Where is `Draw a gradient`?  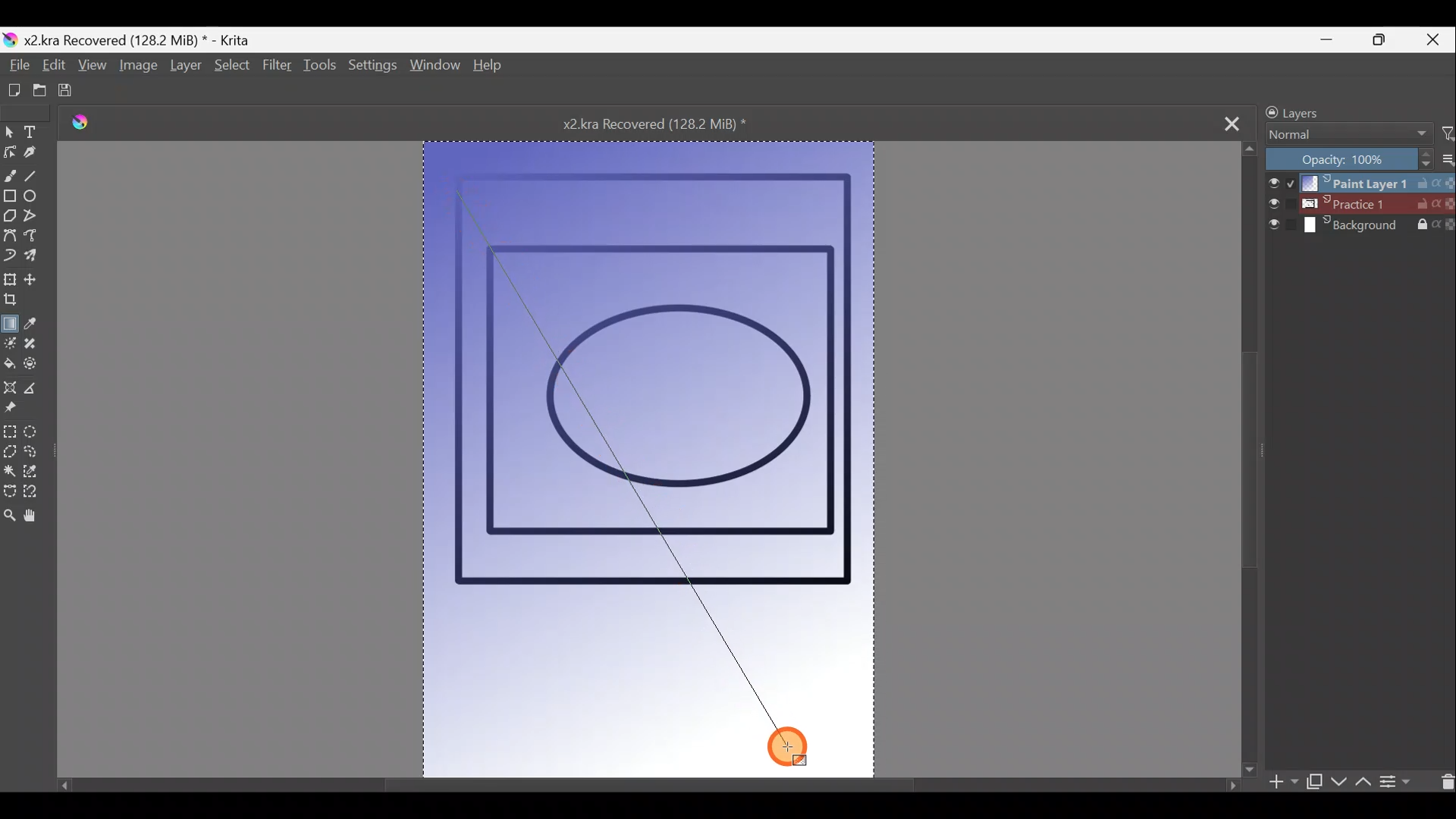
Draw a gradient is located at coordinates (11, 321).